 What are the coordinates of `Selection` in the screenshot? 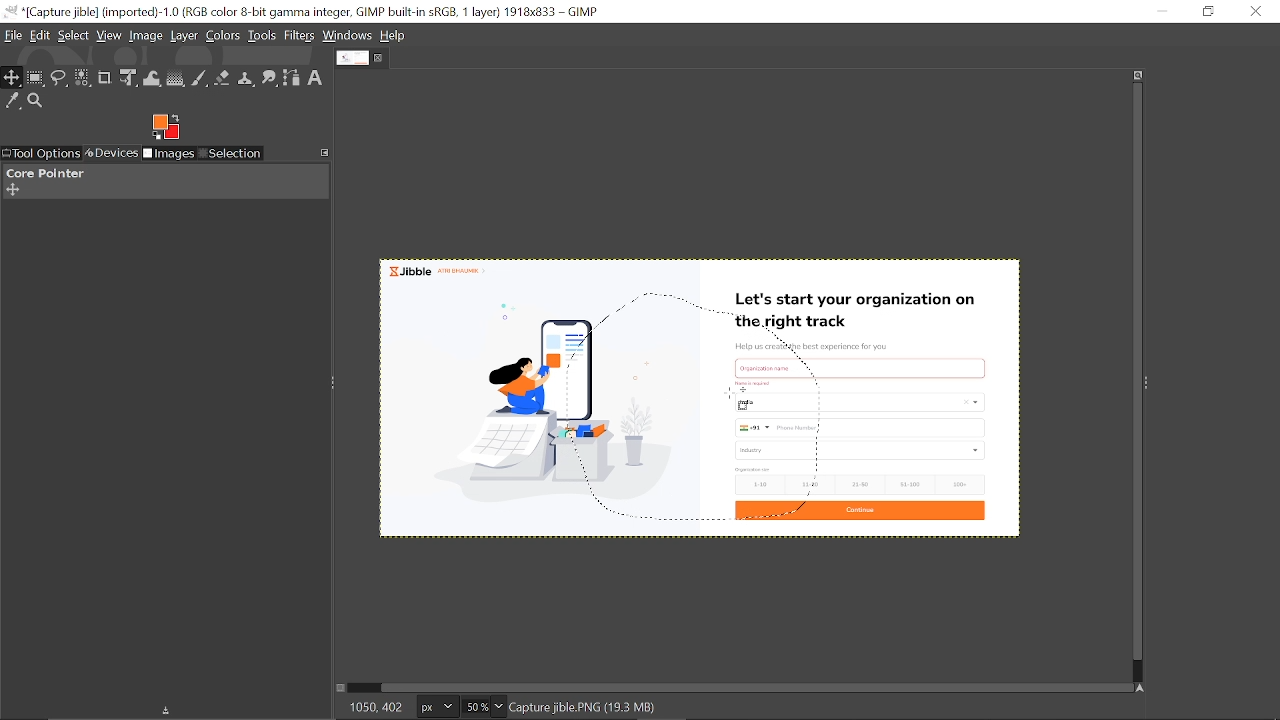 It's located at (230, 155).